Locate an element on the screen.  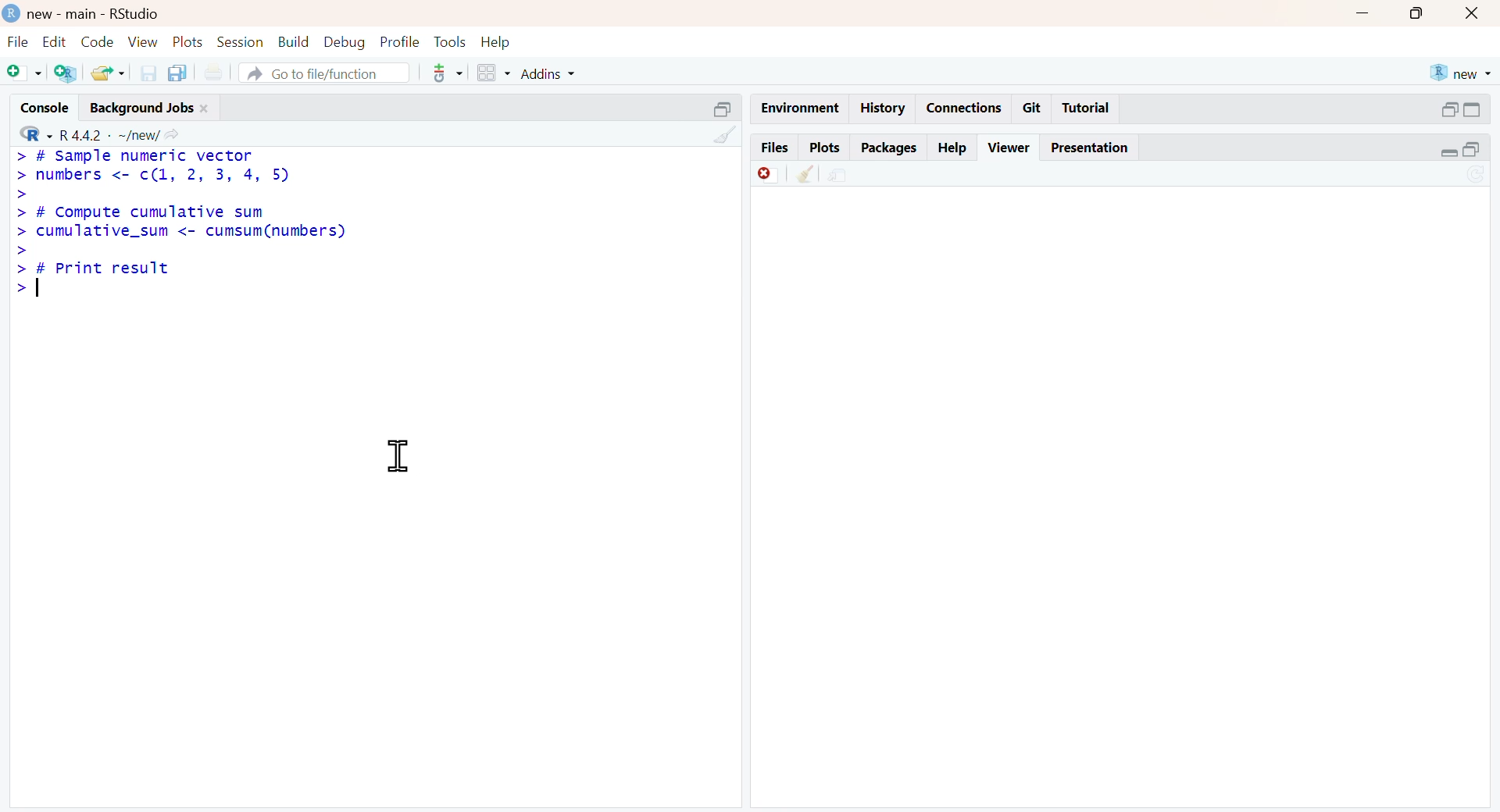
new is located at coordinates (1462, 73).